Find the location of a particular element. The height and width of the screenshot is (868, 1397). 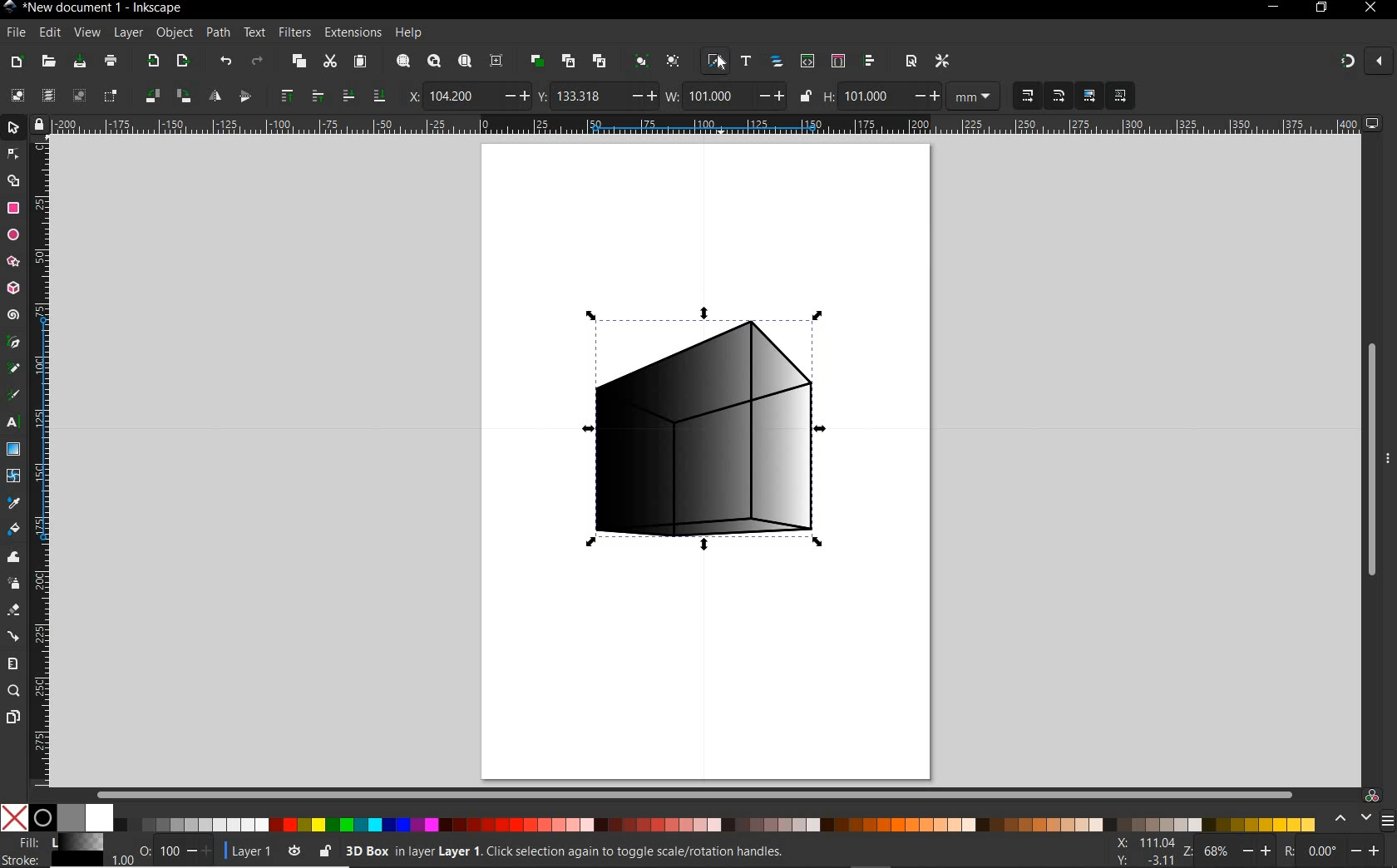

ZOOM SELECTION is located at coordinates (403, 61).